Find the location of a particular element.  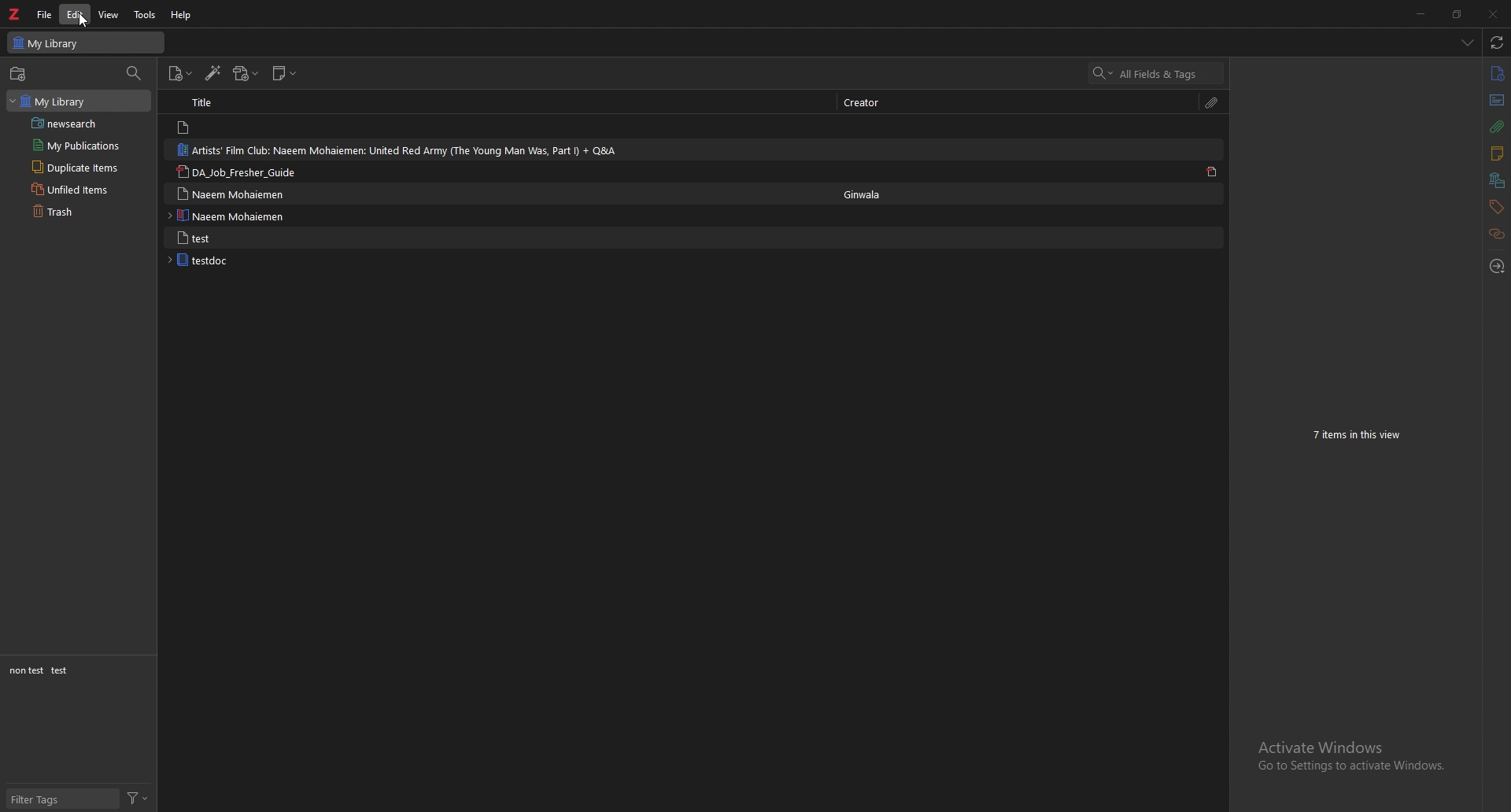

cursor is located at coordinates (76, 21).